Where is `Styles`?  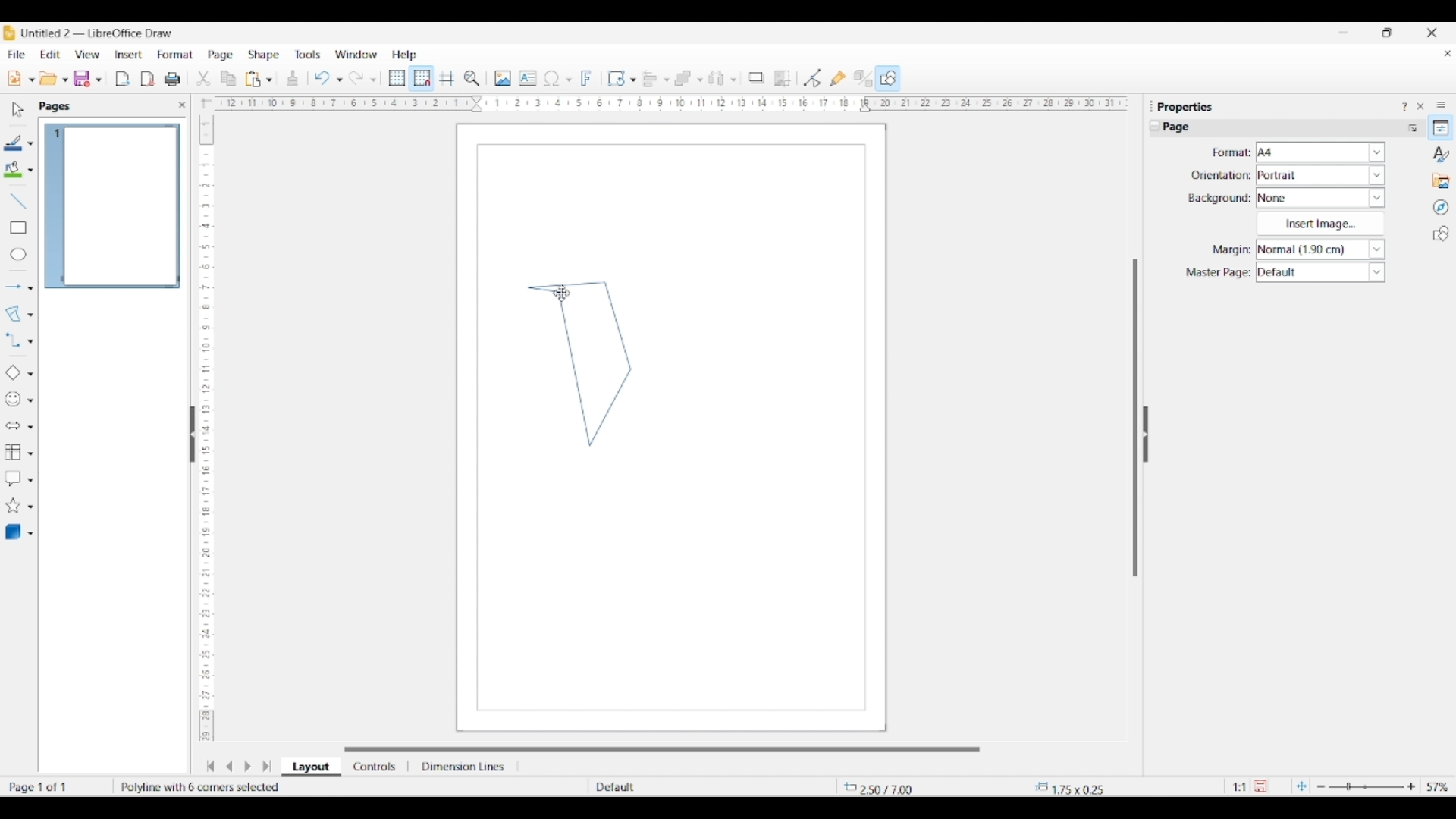 Styles is located at coordinates (1442, 154).